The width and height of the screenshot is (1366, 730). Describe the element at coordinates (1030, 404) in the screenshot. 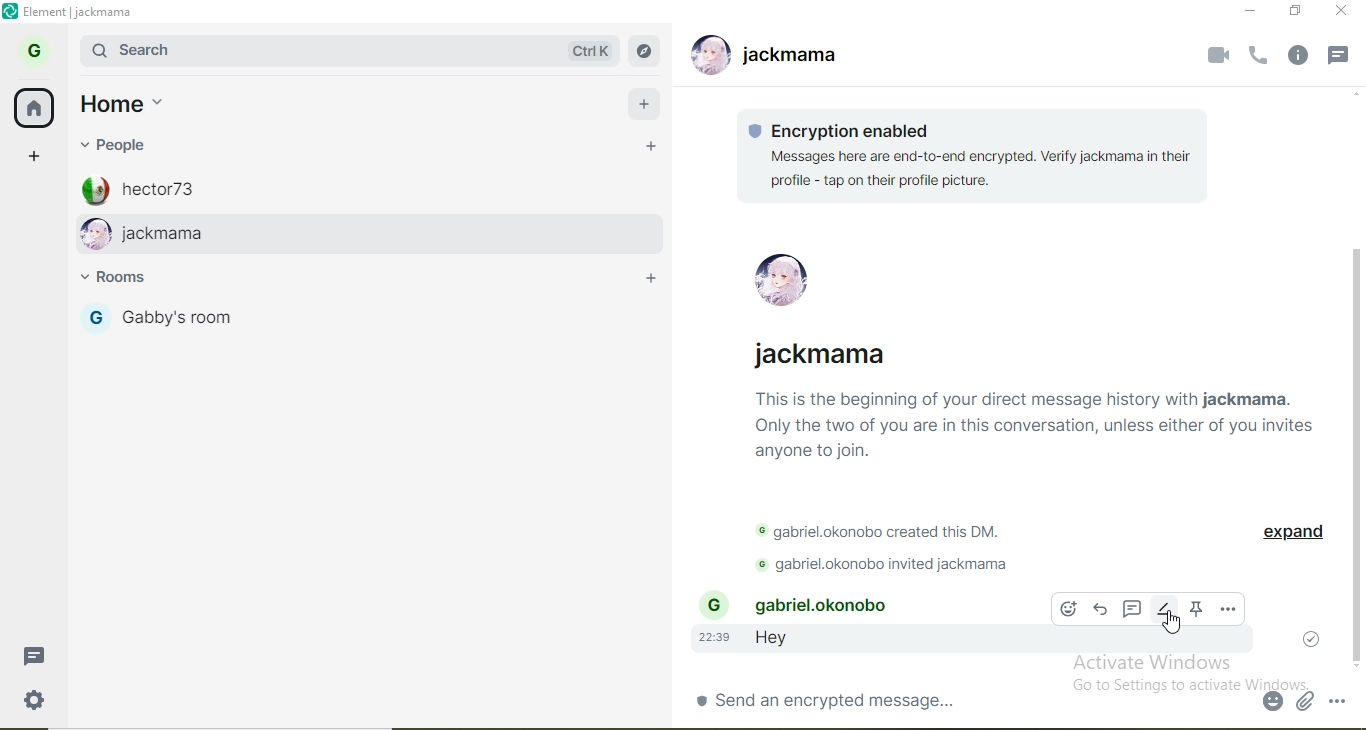

I see `text2` at that location.